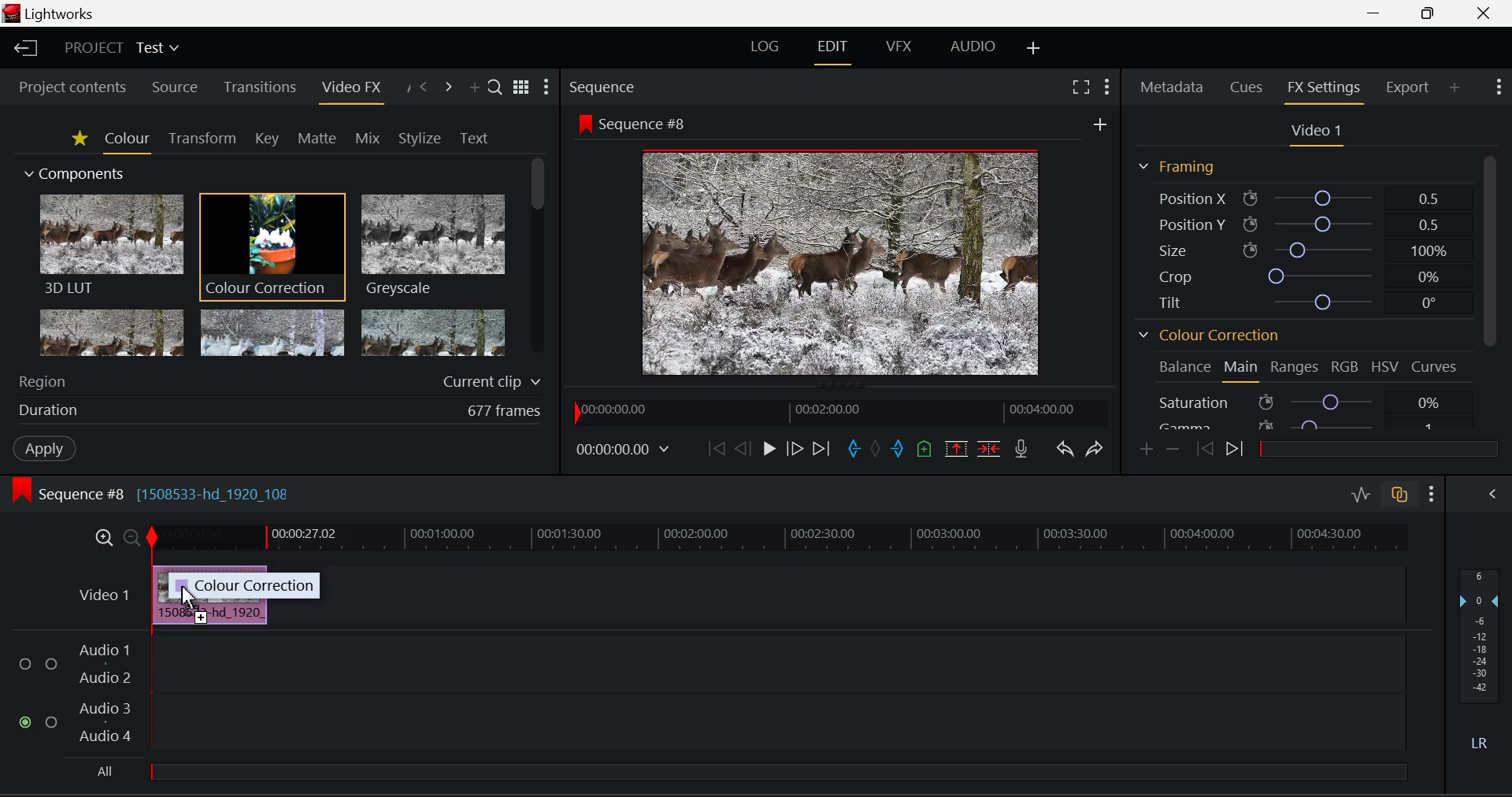  What do you see at coordinates (1492, 494) in the screenshot?
I see `Show Audio Mix` at bounding box center [1492, 494].